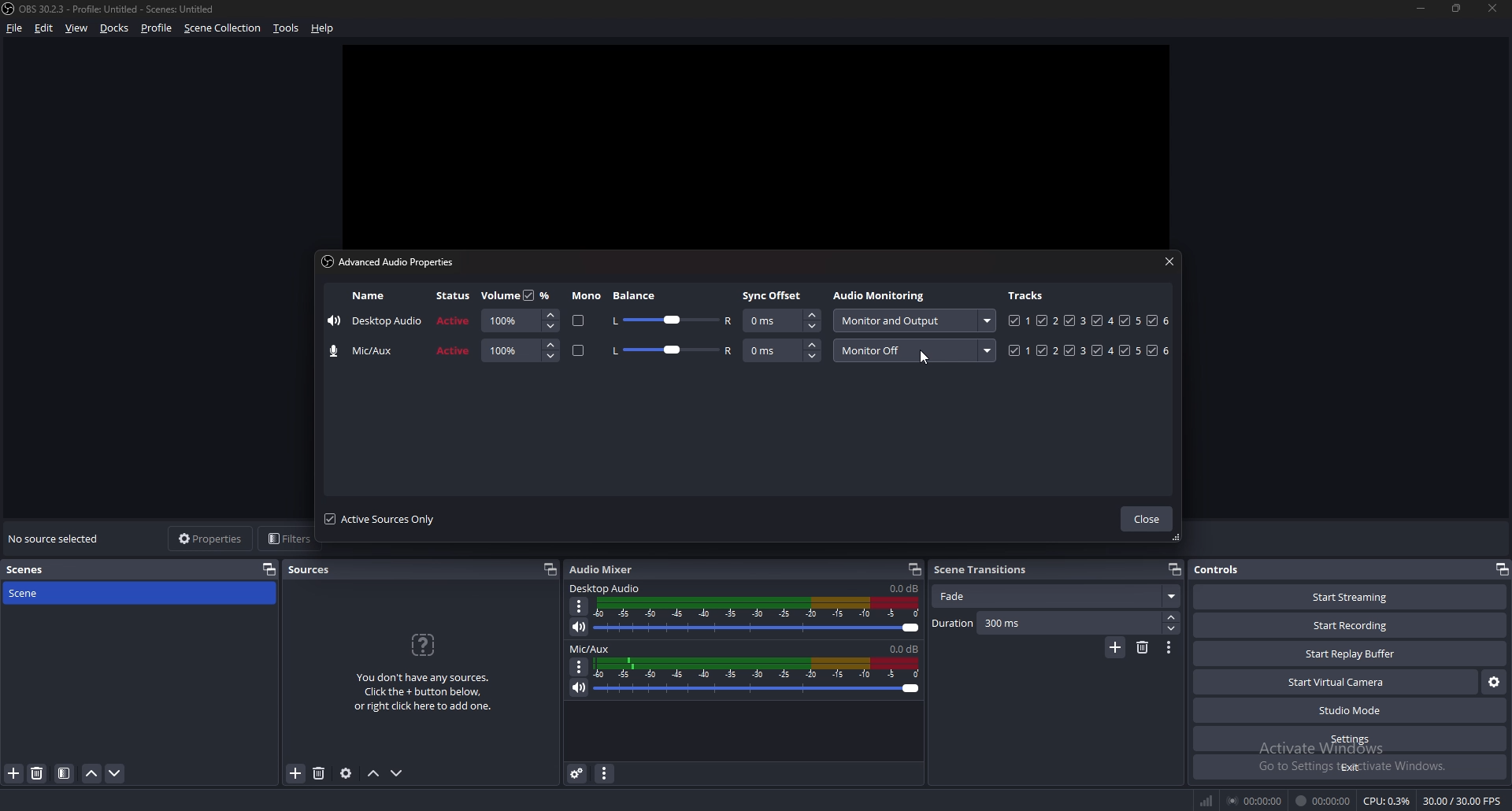 The height and width of the screenshot is (811, 1512). I want to click on scene, so click(40, 593).